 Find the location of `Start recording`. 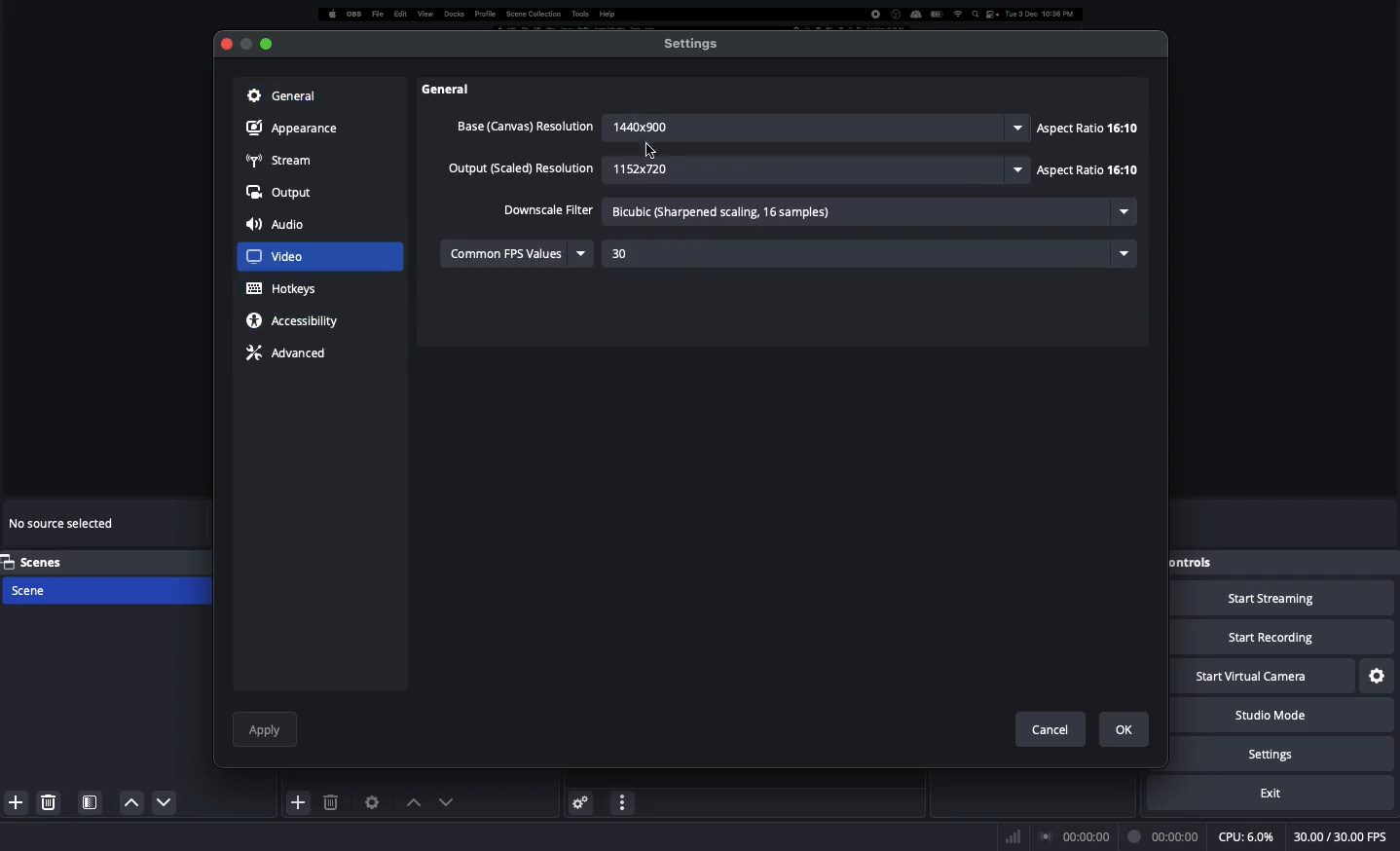

Start recording is located at coordinates (1283, 639).